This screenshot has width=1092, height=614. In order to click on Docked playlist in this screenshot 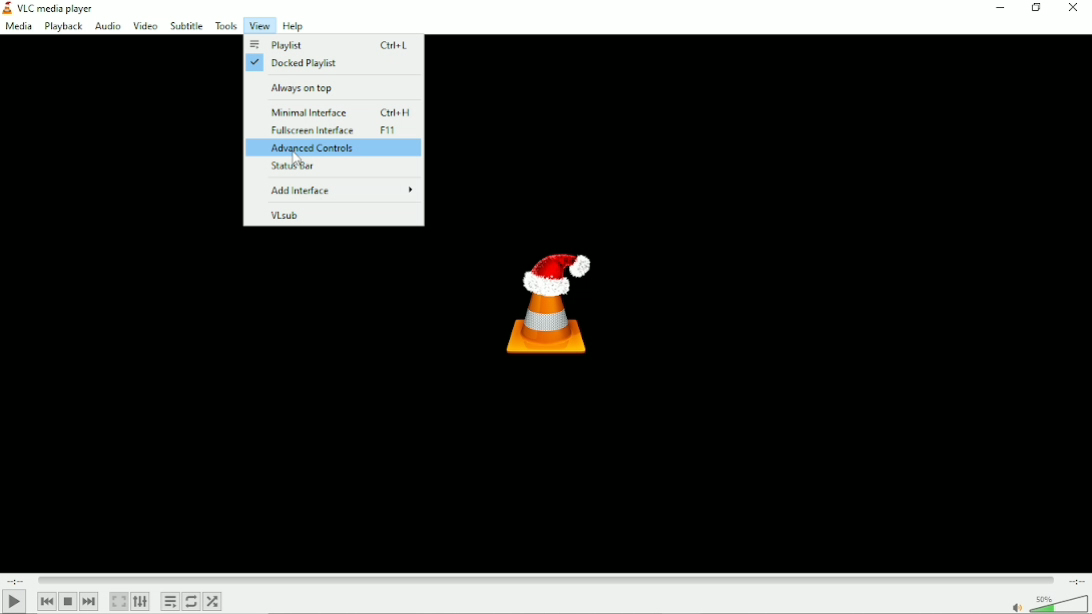, I will do `click(327, 64)`.